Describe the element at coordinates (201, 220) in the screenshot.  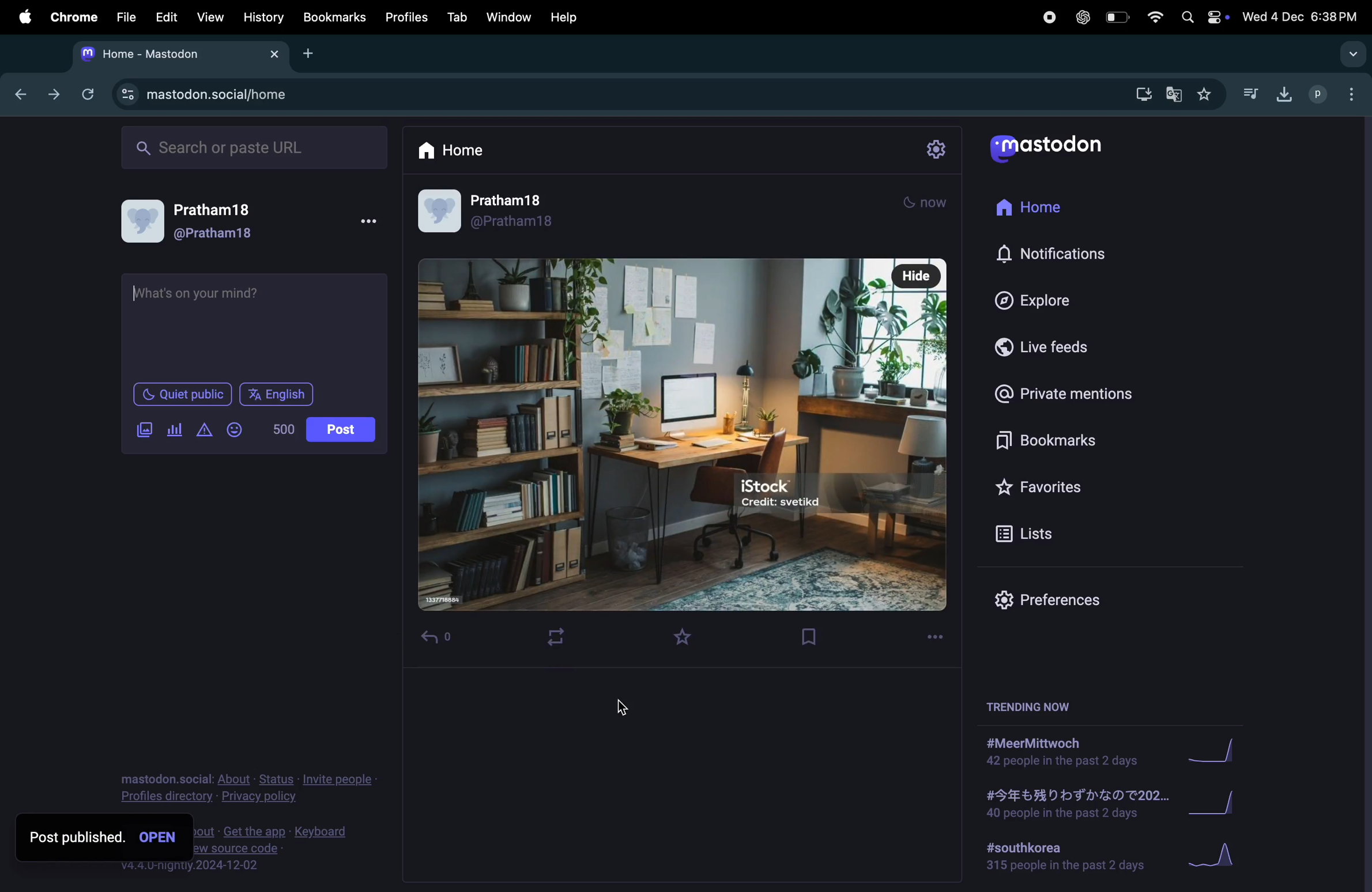
I see `user profile` at that location.